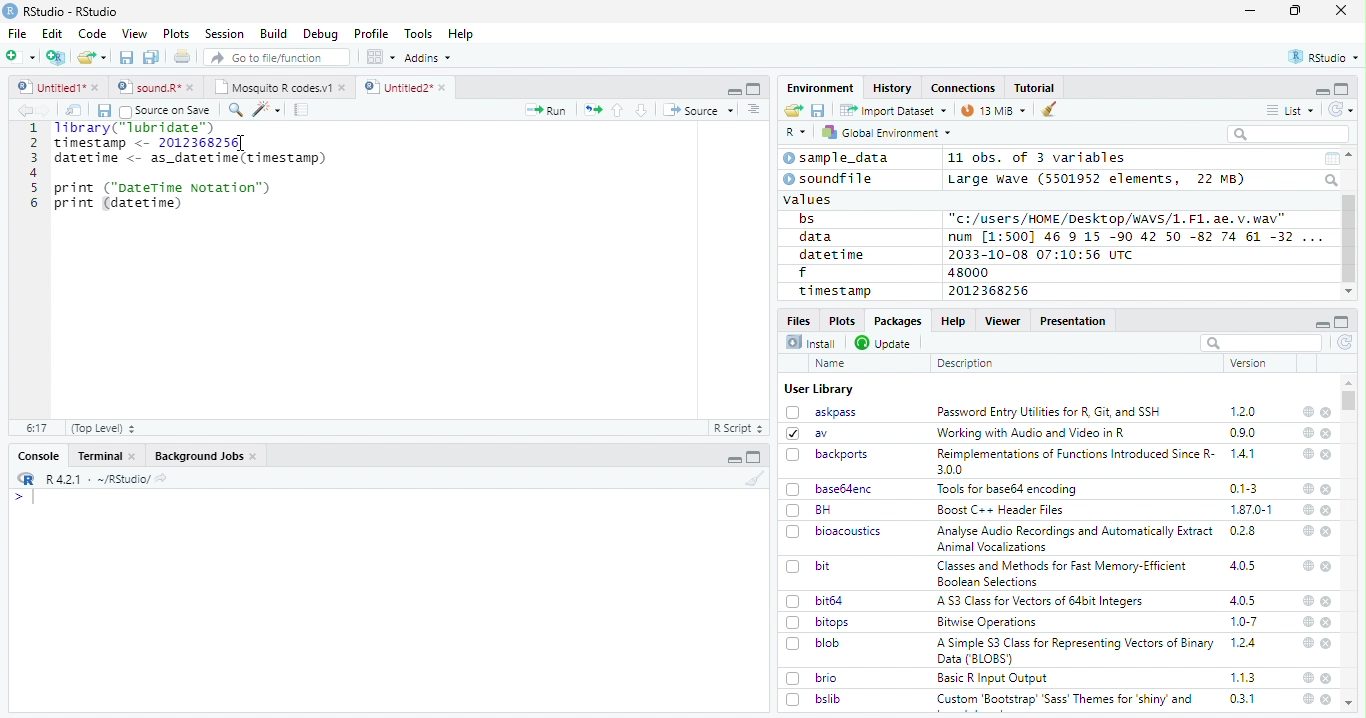 Image resolution: width=1366 pixels, height=718 pixels. What do you see at coordinates (1244, 453) in the screenshot?
I see `1.4.1` at bounding box center [1244, 453].